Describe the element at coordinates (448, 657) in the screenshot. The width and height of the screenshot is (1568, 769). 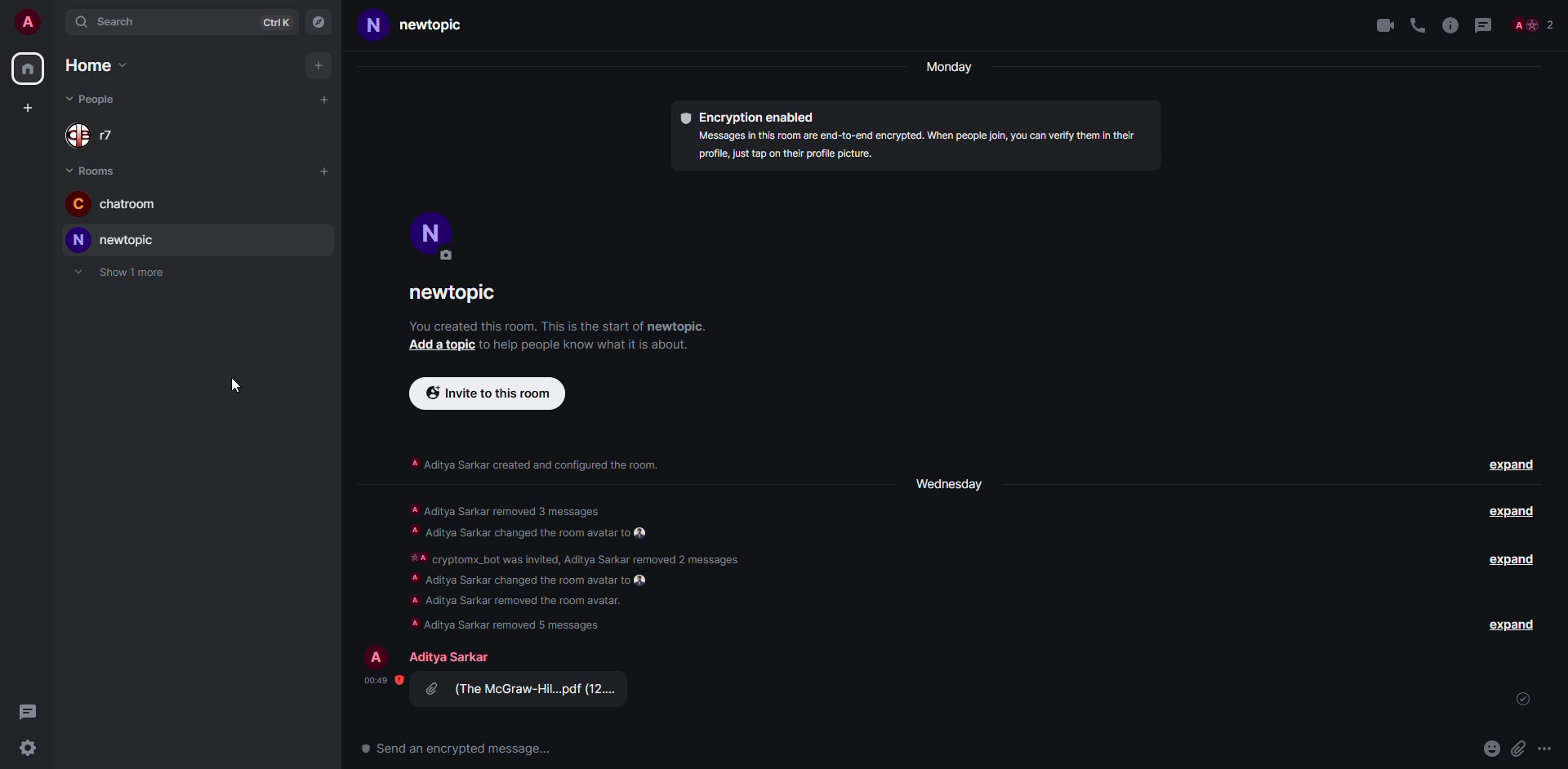
I see `Aditya sarkar` at that location.